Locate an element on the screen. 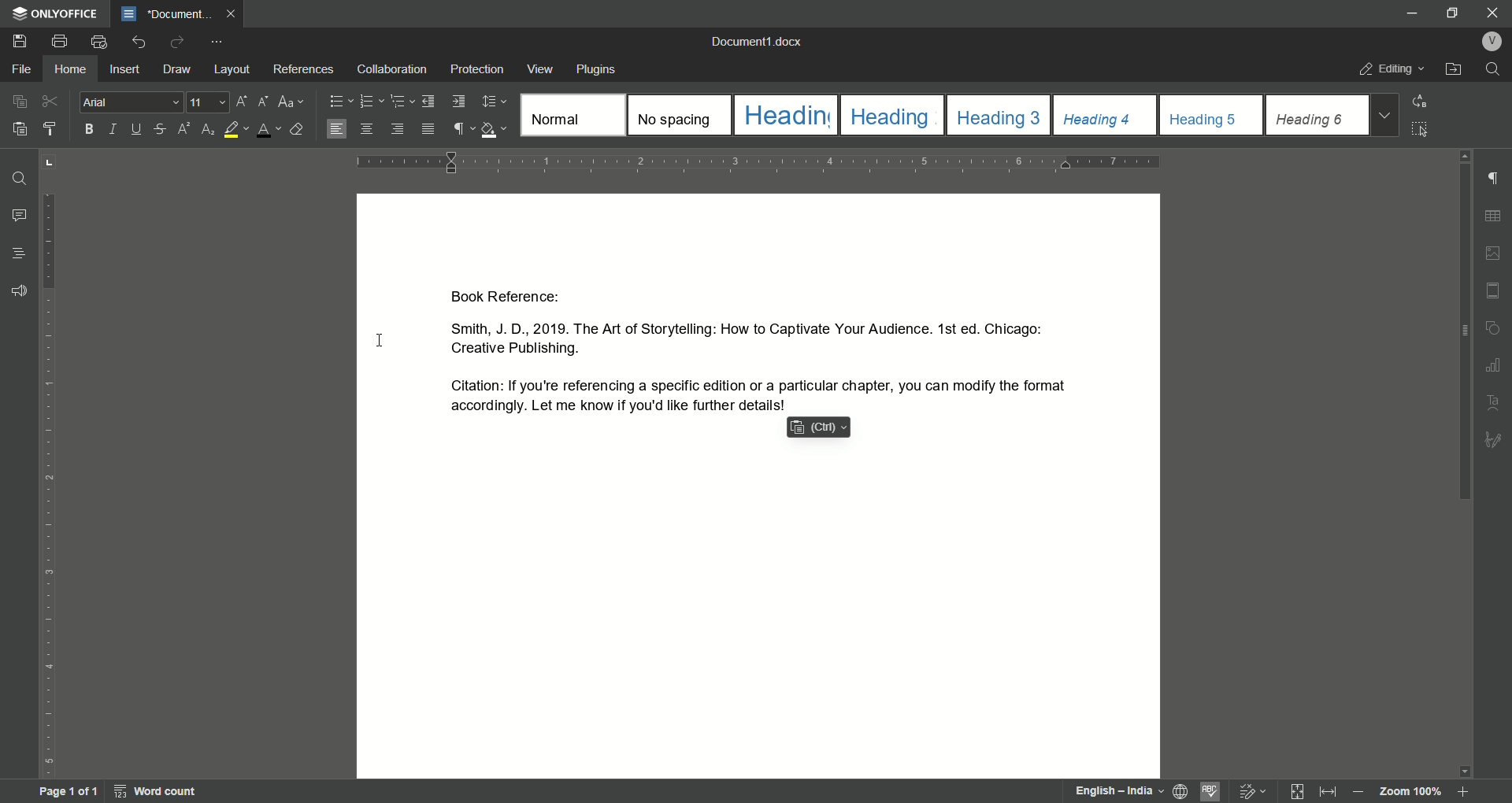 This screenshot has width=1512, height=803. increment font size is located at coordinates (240, 102).